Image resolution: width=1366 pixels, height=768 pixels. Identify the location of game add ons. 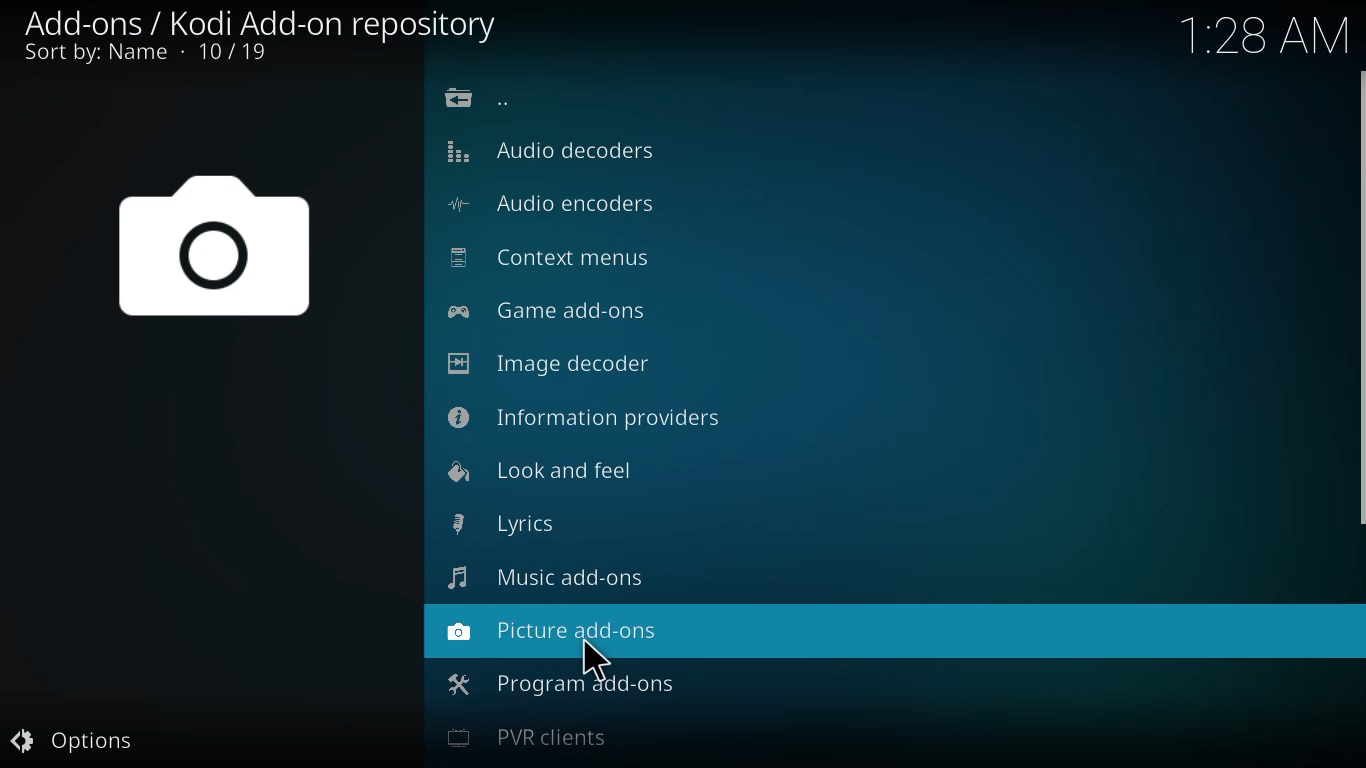
(555, 309).